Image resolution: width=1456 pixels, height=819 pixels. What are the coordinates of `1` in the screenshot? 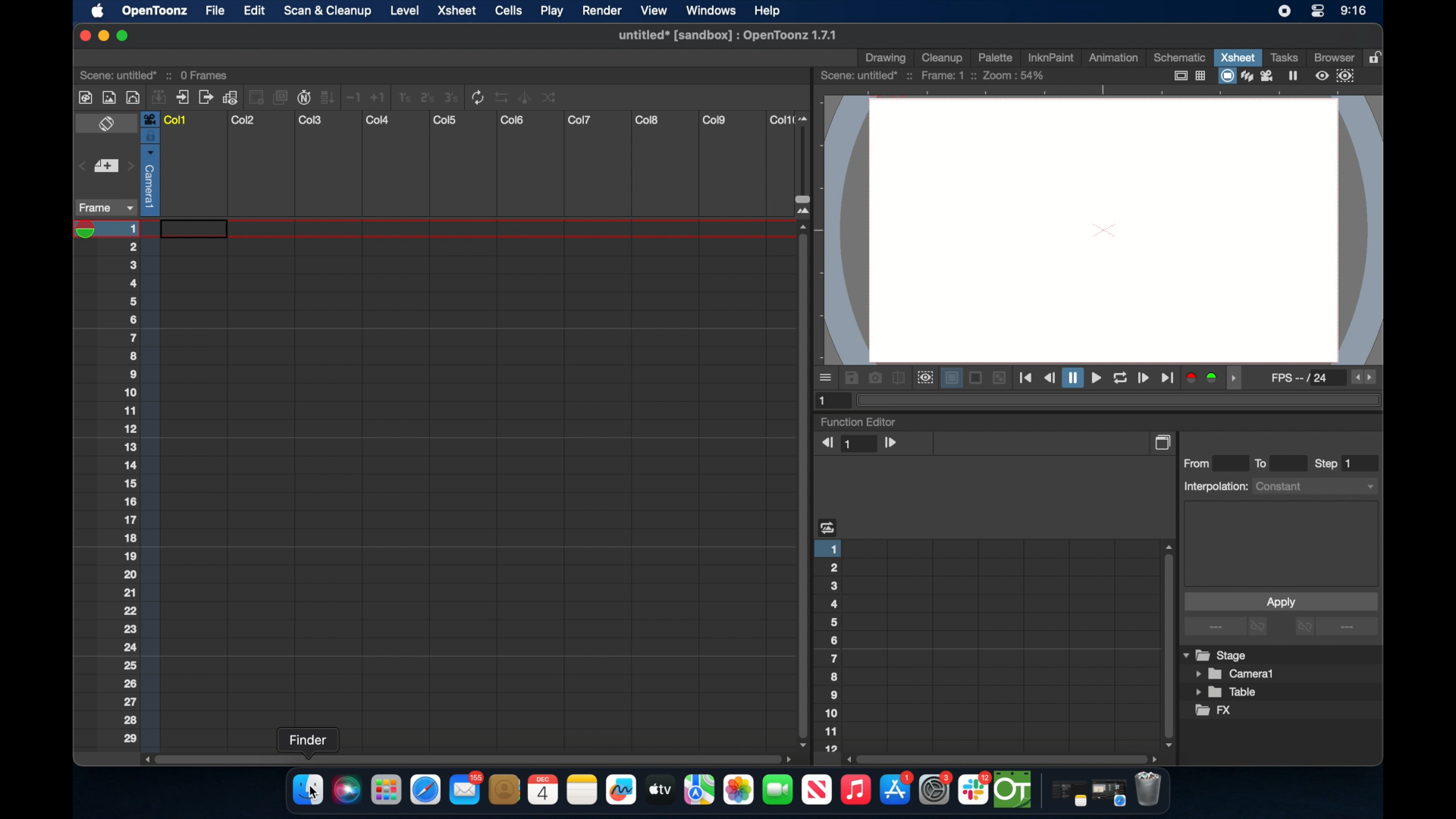 It's located at (825, 400).